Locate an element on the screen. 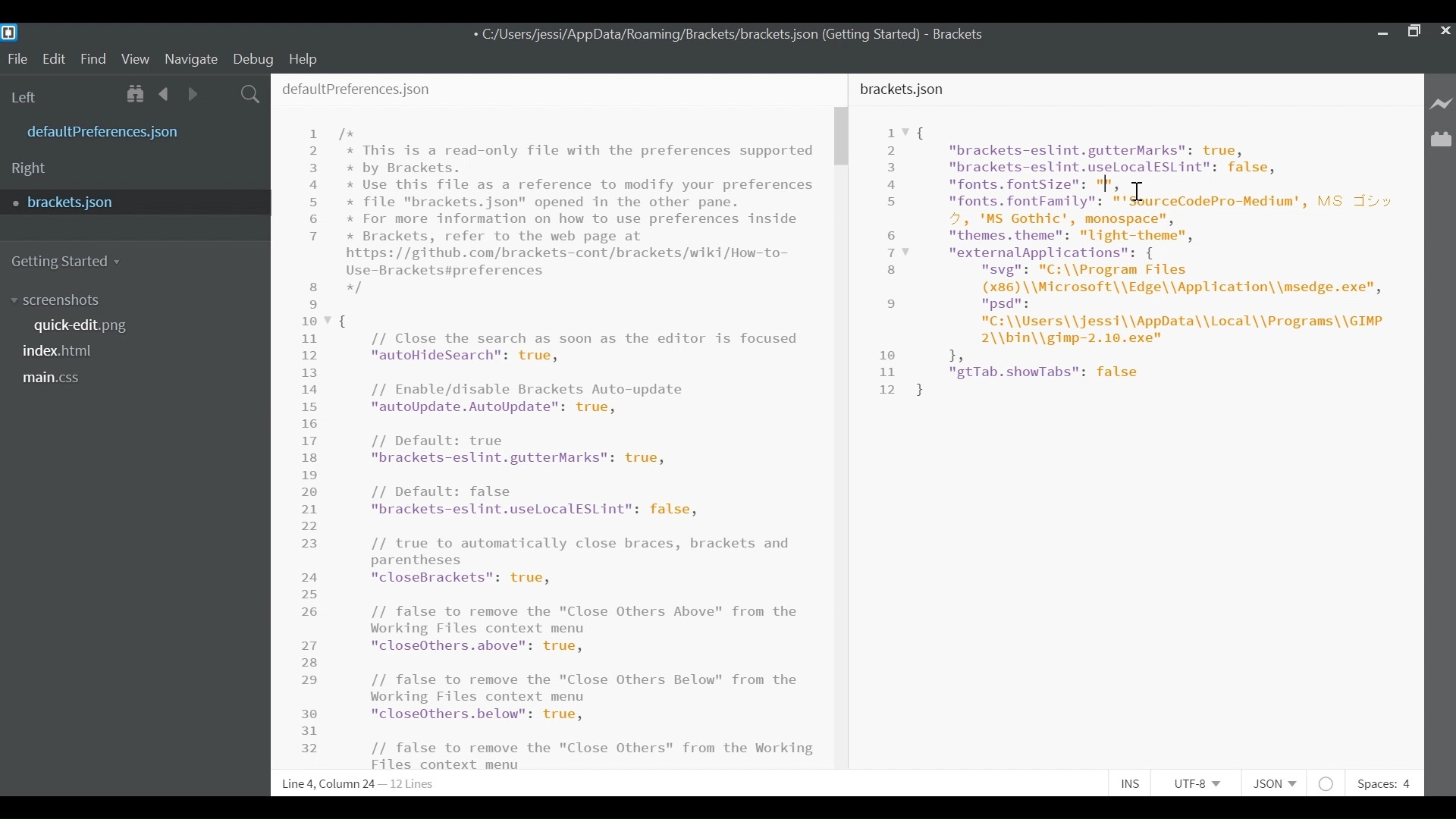  Maximize is located at coordinates (1414, 33).